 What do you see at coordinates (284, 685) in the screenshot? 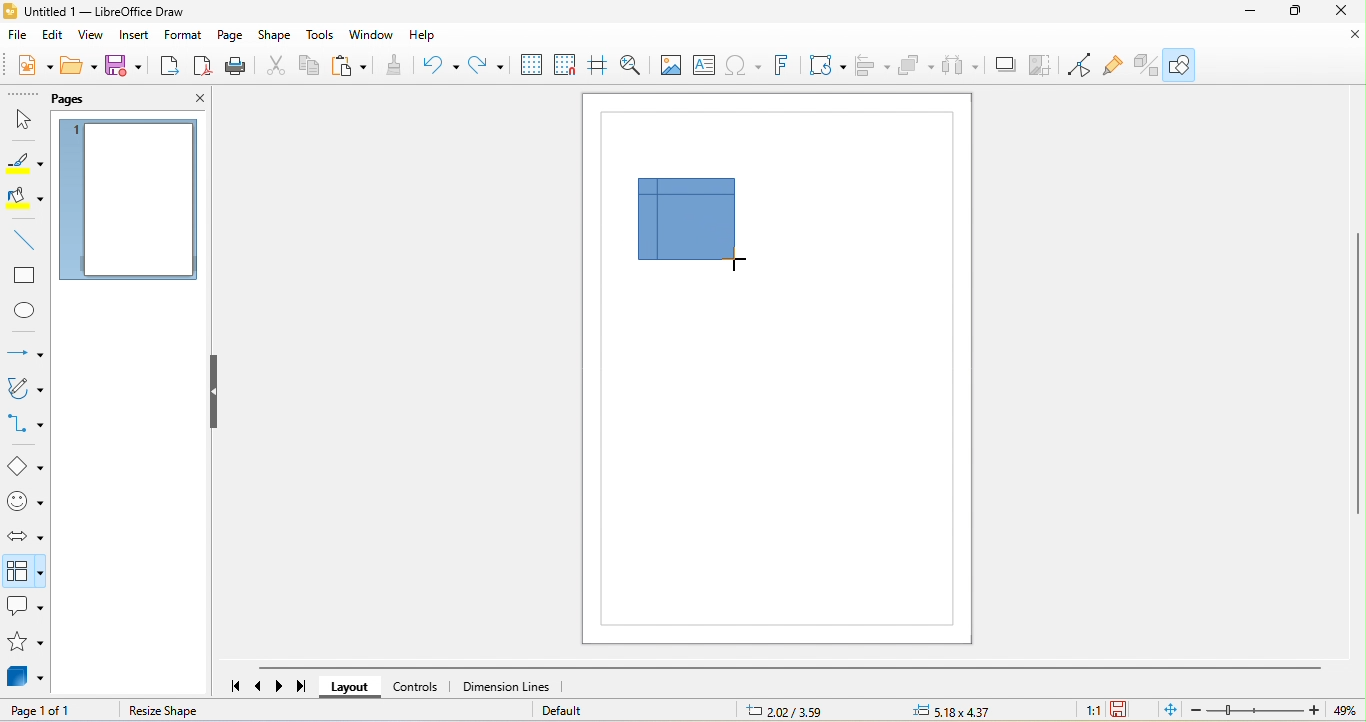
I see `scroll to next page` at bounding box center [284, 685].